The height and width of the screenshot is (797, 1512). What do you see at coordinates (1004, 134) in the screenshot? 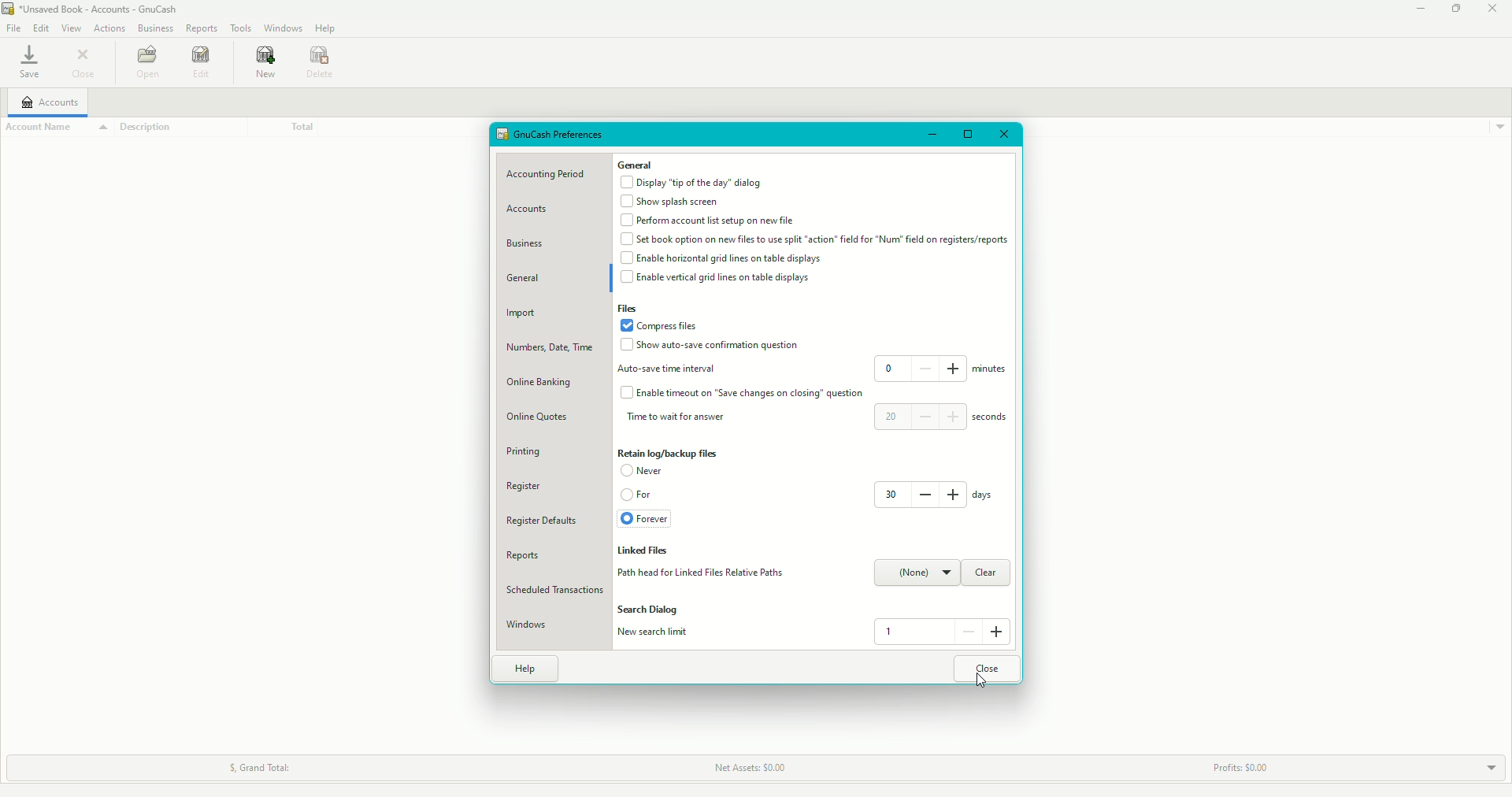
I see `Close` at bounding box center [1004, 134].